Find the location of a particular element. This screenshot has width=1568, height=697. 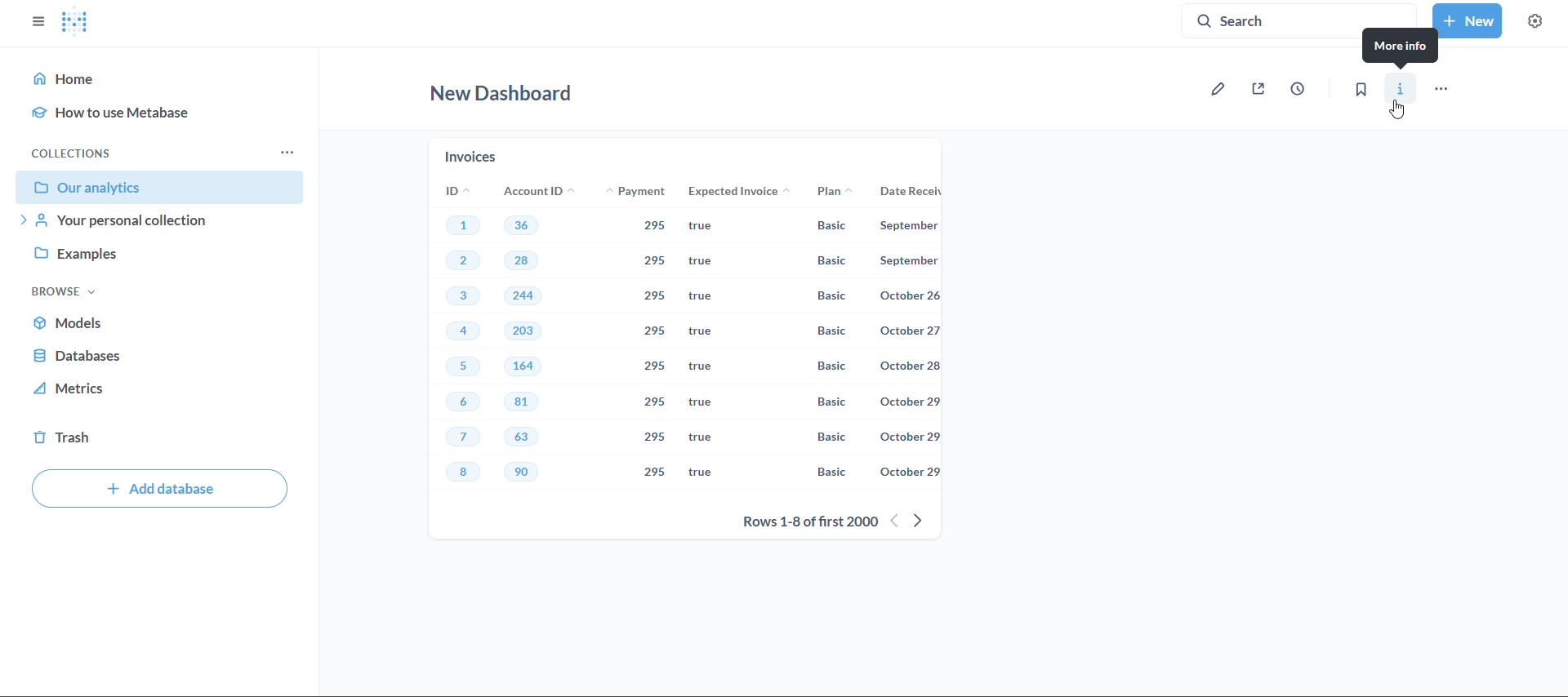

7 is located at coordinates (462, 438).